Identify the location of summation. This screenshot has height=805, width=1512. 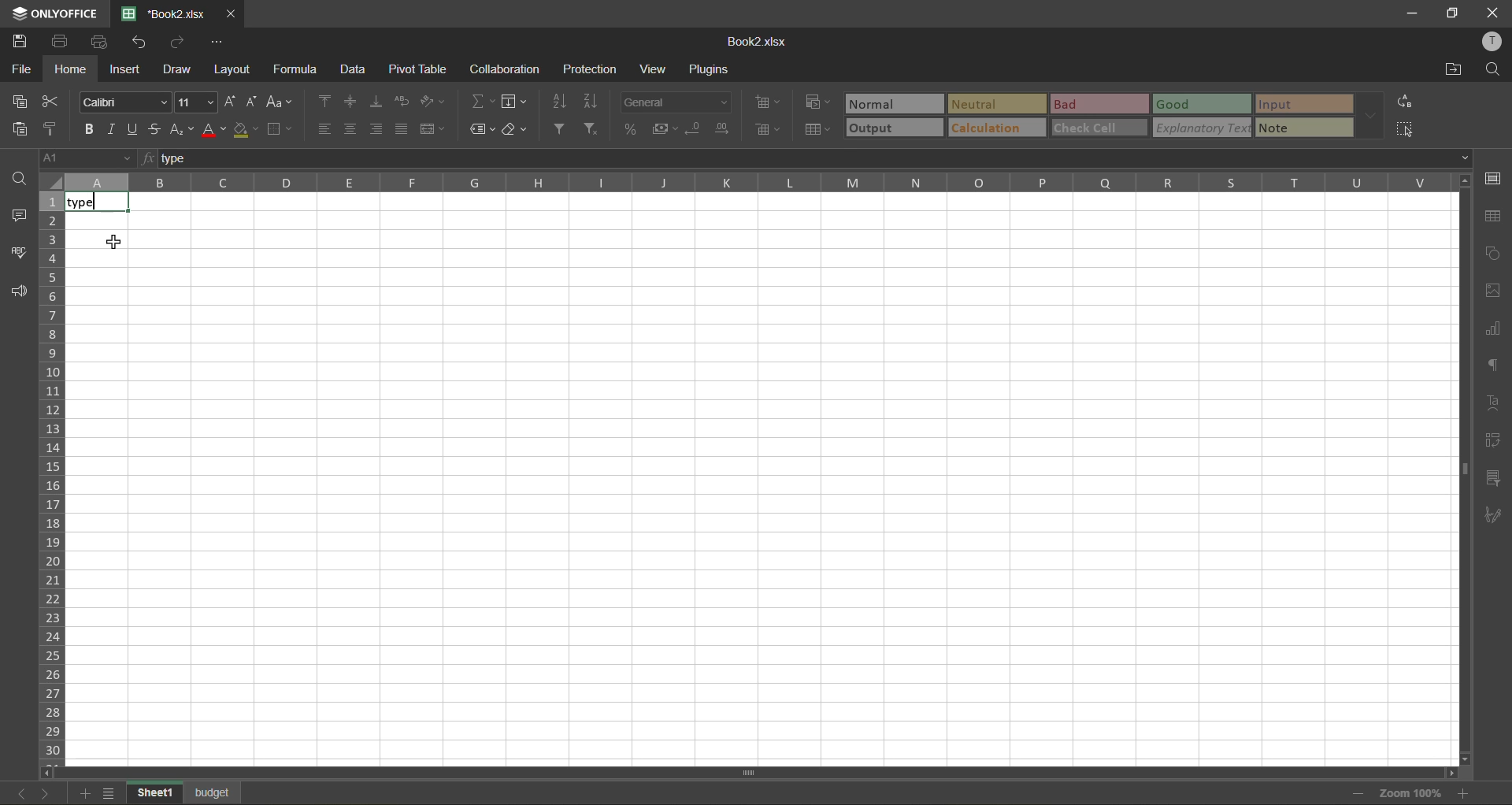
(480, 102).